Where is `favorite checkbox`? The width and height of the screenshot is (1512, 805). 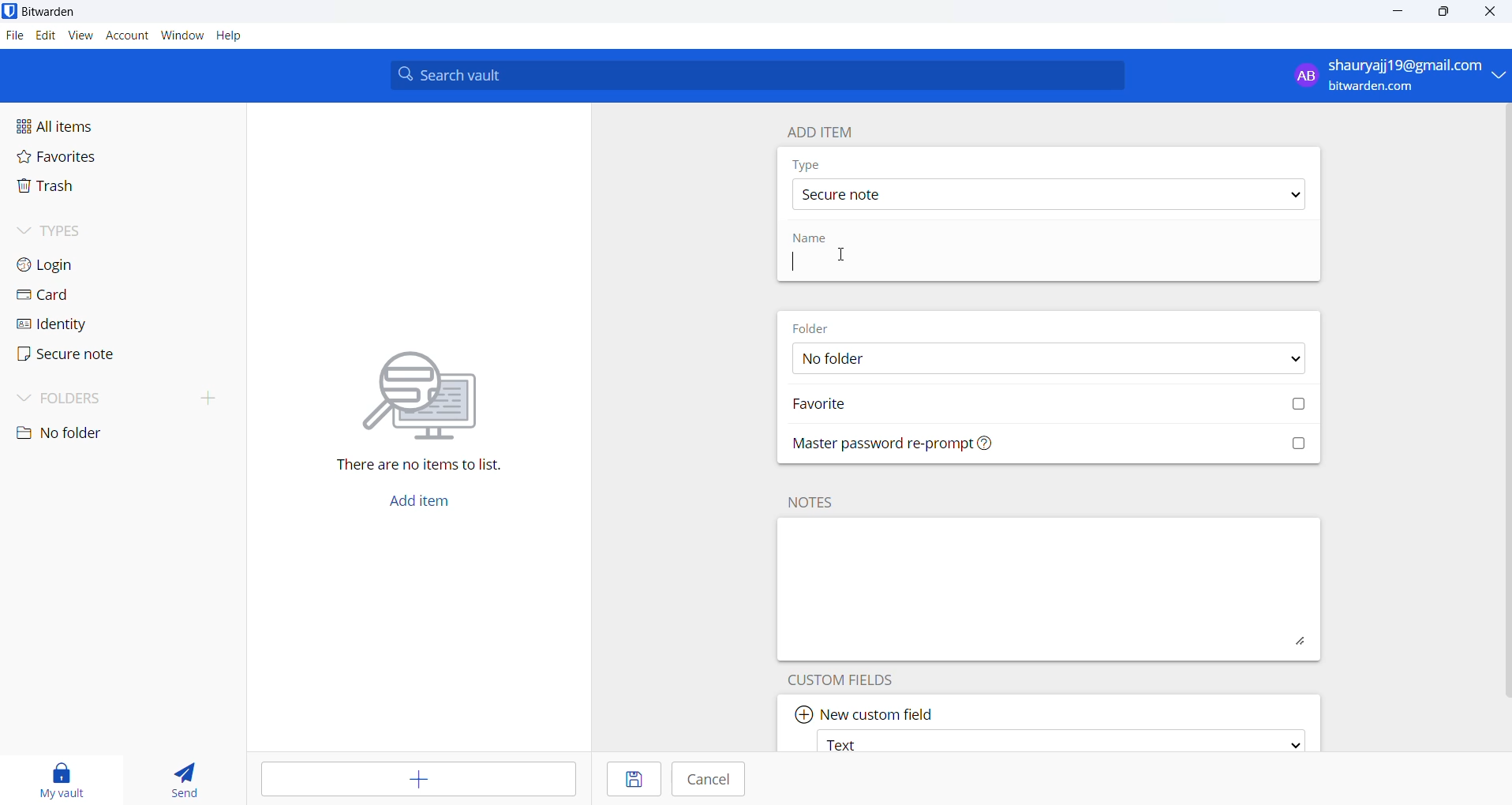
favorite checkbox is located at coordinates (1052, 406).